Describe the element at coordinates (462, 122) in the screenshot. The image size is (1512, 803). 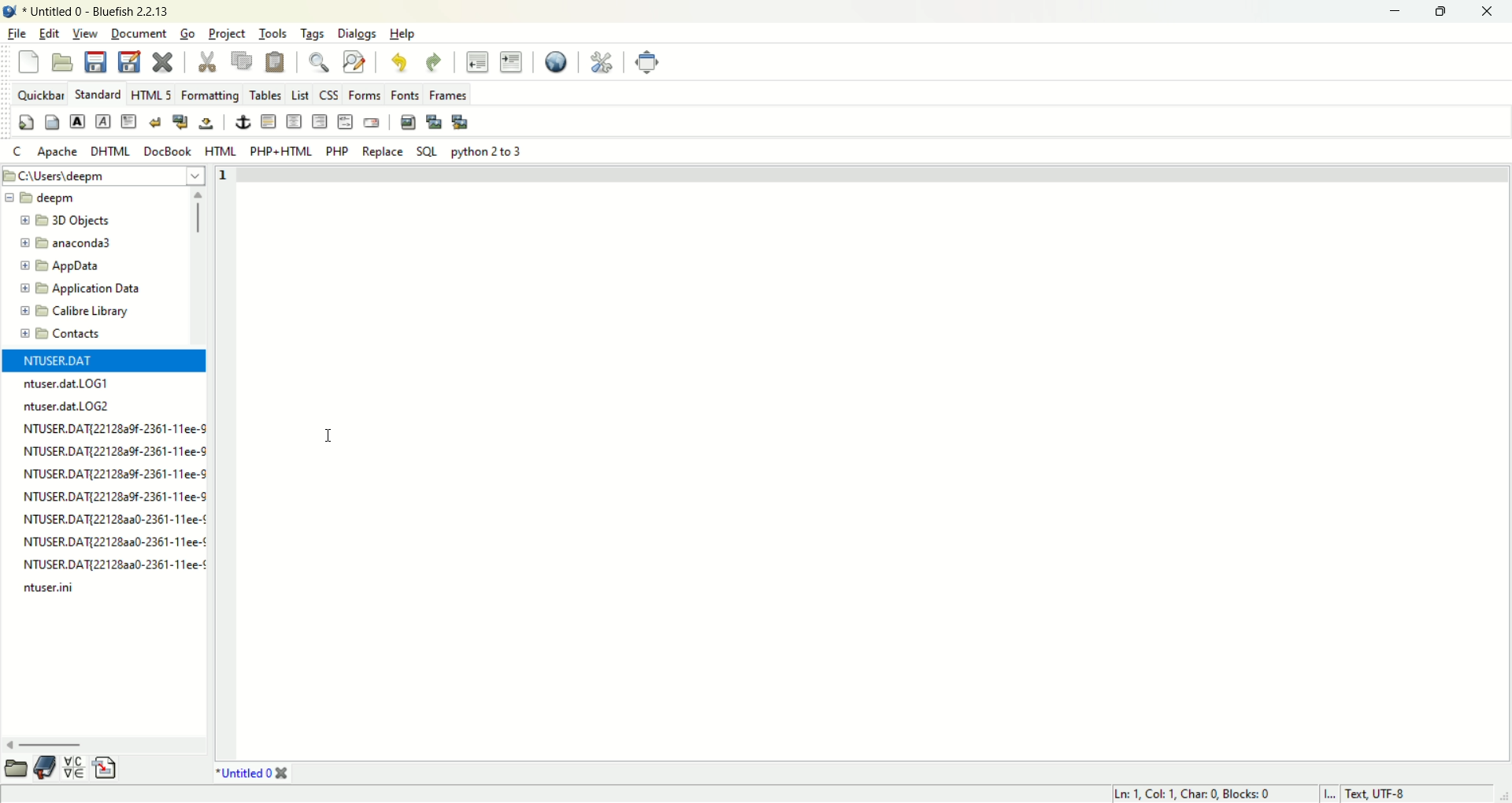
I see `multi thumbnail` at that location.